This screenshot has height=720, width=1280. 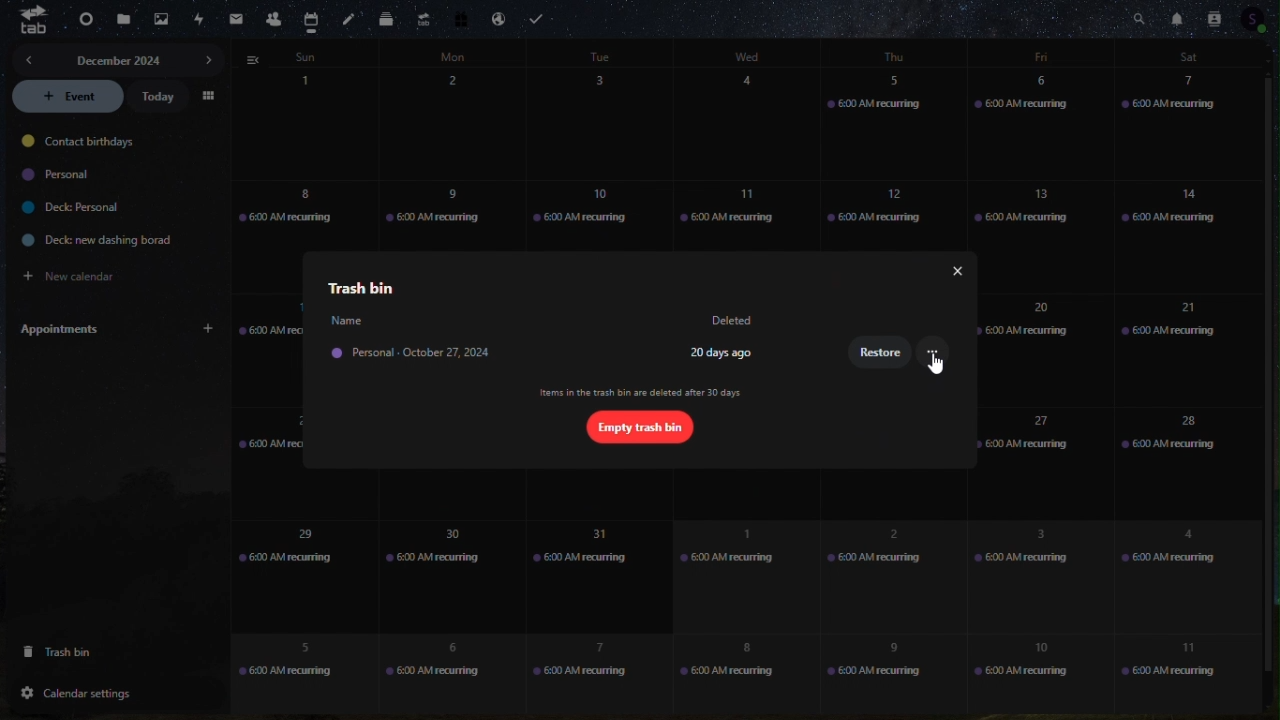 What do you see at coordinates (1190, 128) in the screenshot?
I see `7` at bounding box center [1190, 128].